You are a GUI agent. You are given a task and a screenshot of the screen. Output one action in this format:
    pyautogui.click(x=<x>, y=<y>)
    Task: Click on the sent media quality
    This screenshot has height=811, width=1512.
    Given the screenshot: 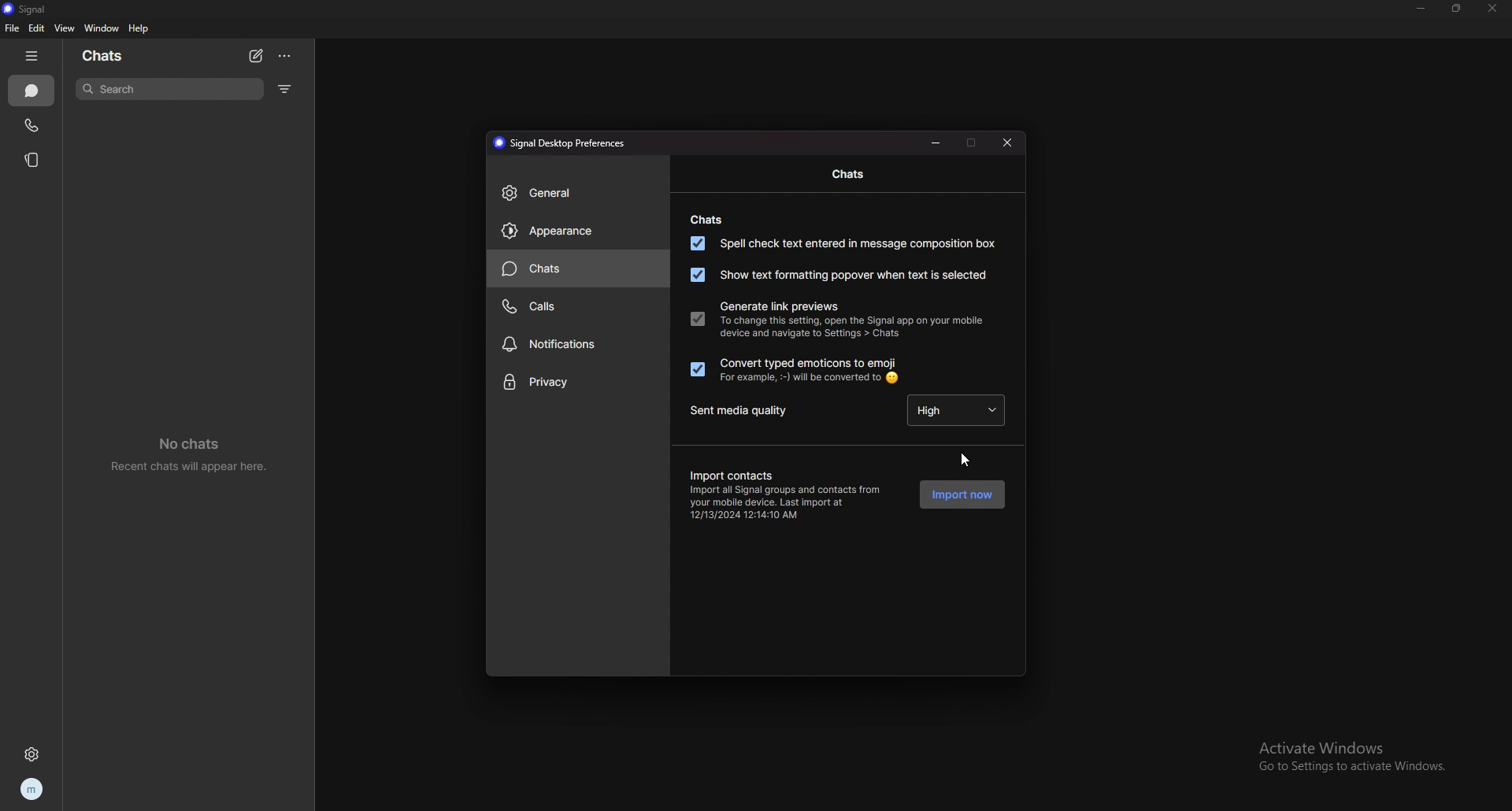 What is the action you would take?
    pyautogui.click(x=747, y=412)
    